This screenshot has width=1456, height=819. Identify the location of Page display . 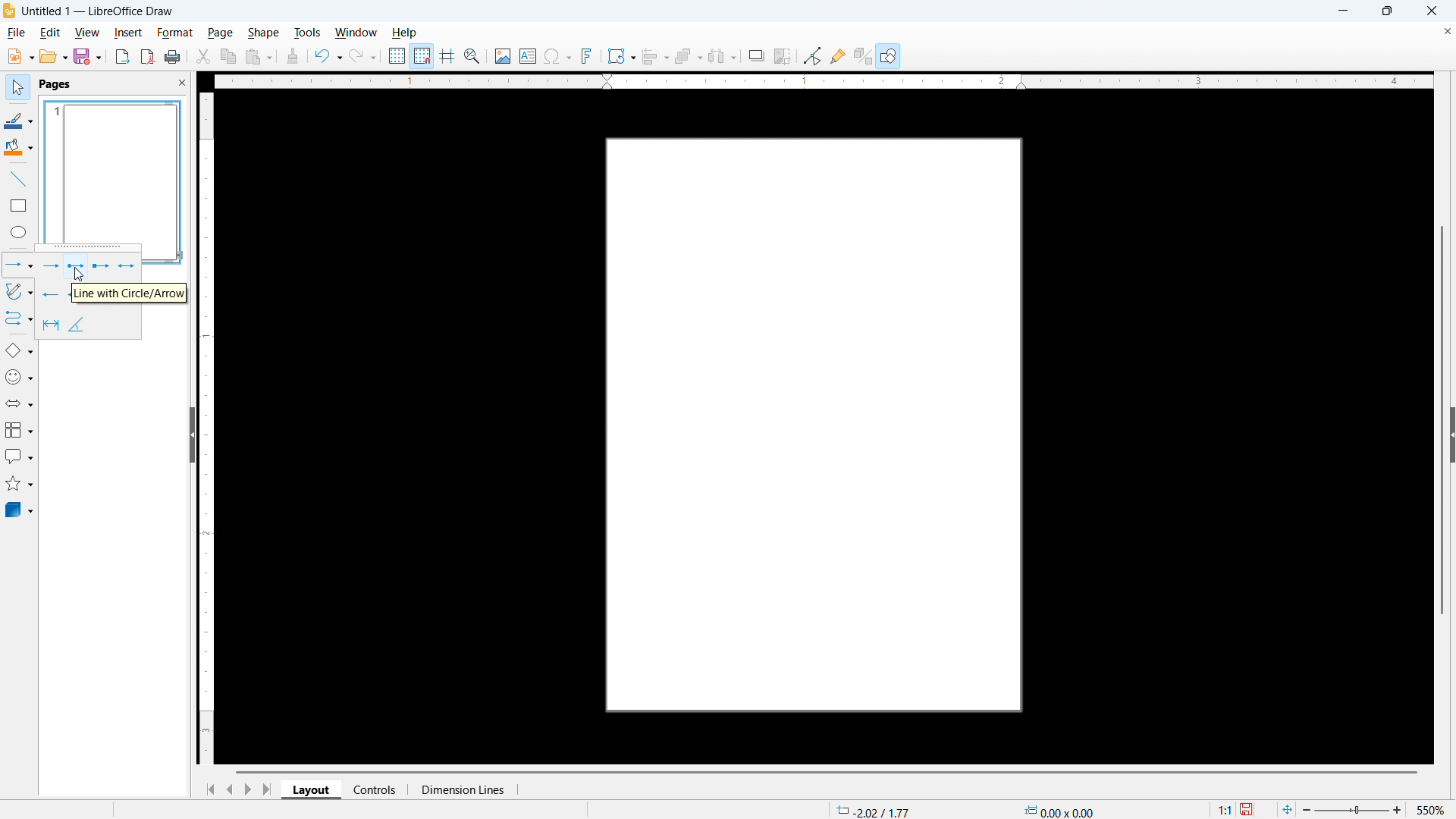
(114, 171).